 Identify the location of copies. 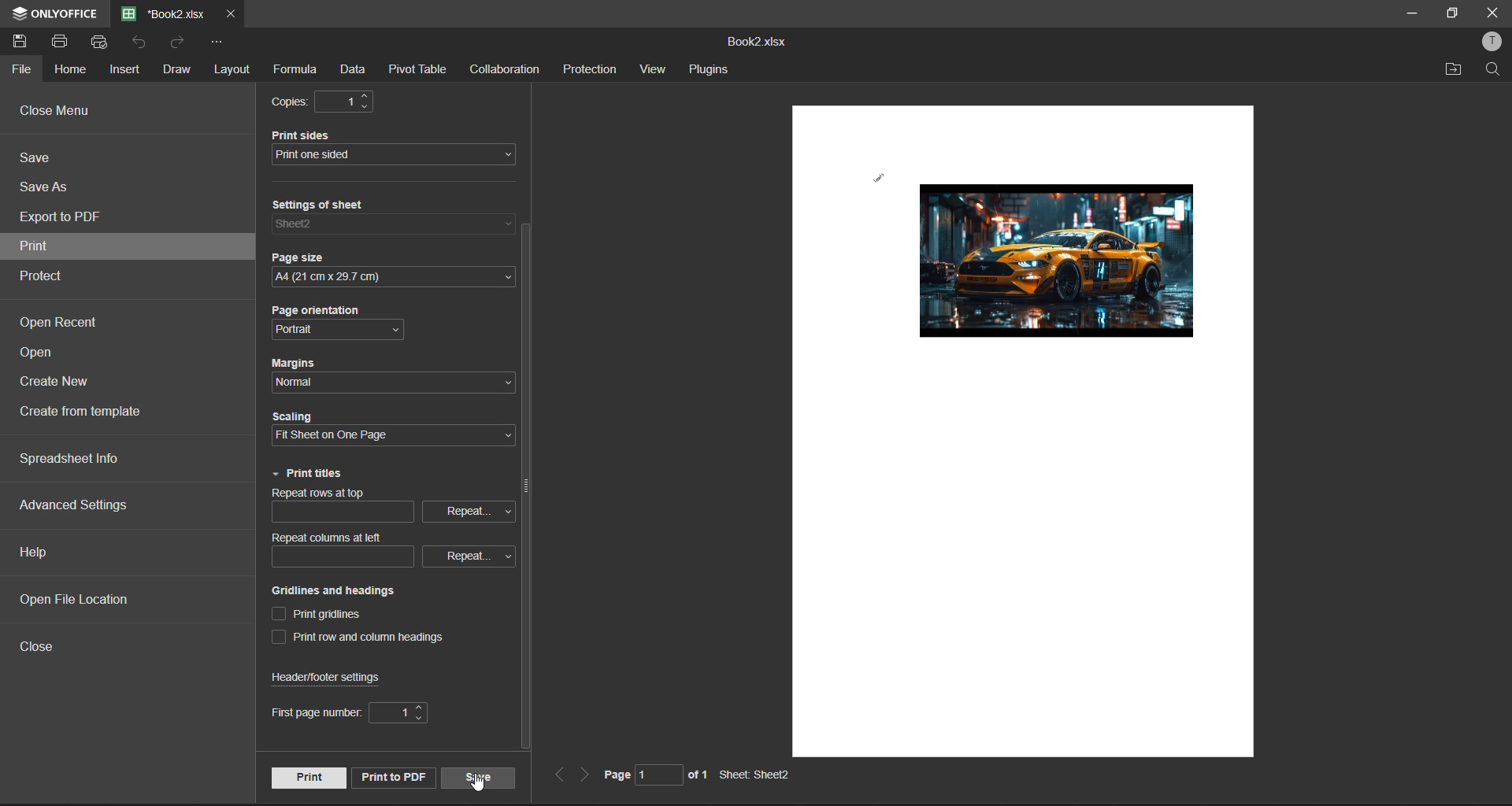
(291, 102).